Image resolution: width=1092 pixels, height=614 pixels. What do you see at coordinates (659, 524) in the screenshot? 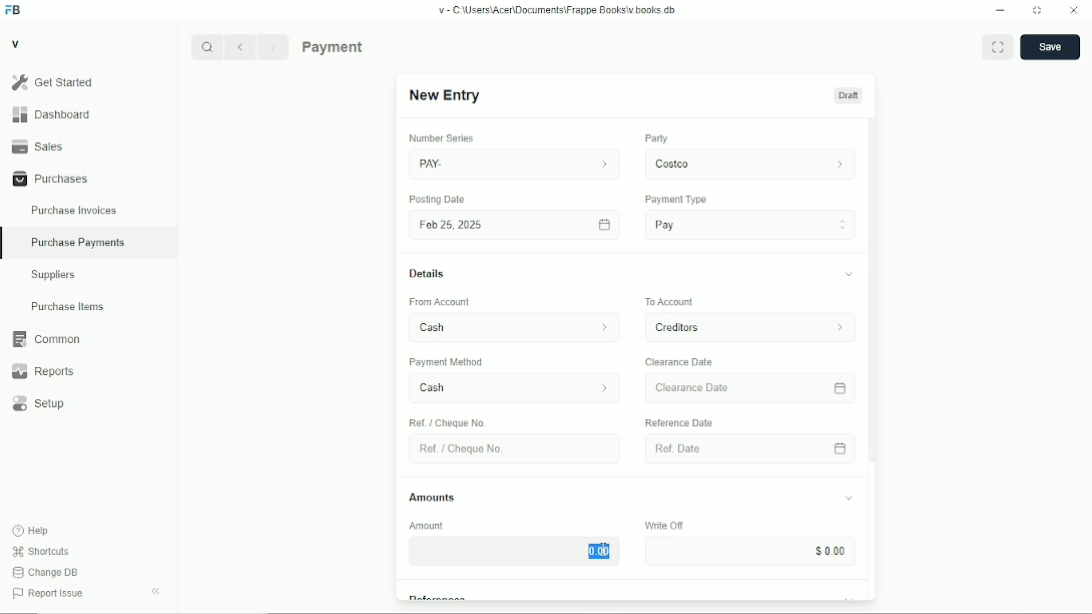
I see `Write OF` at bounding box center [659, 524].